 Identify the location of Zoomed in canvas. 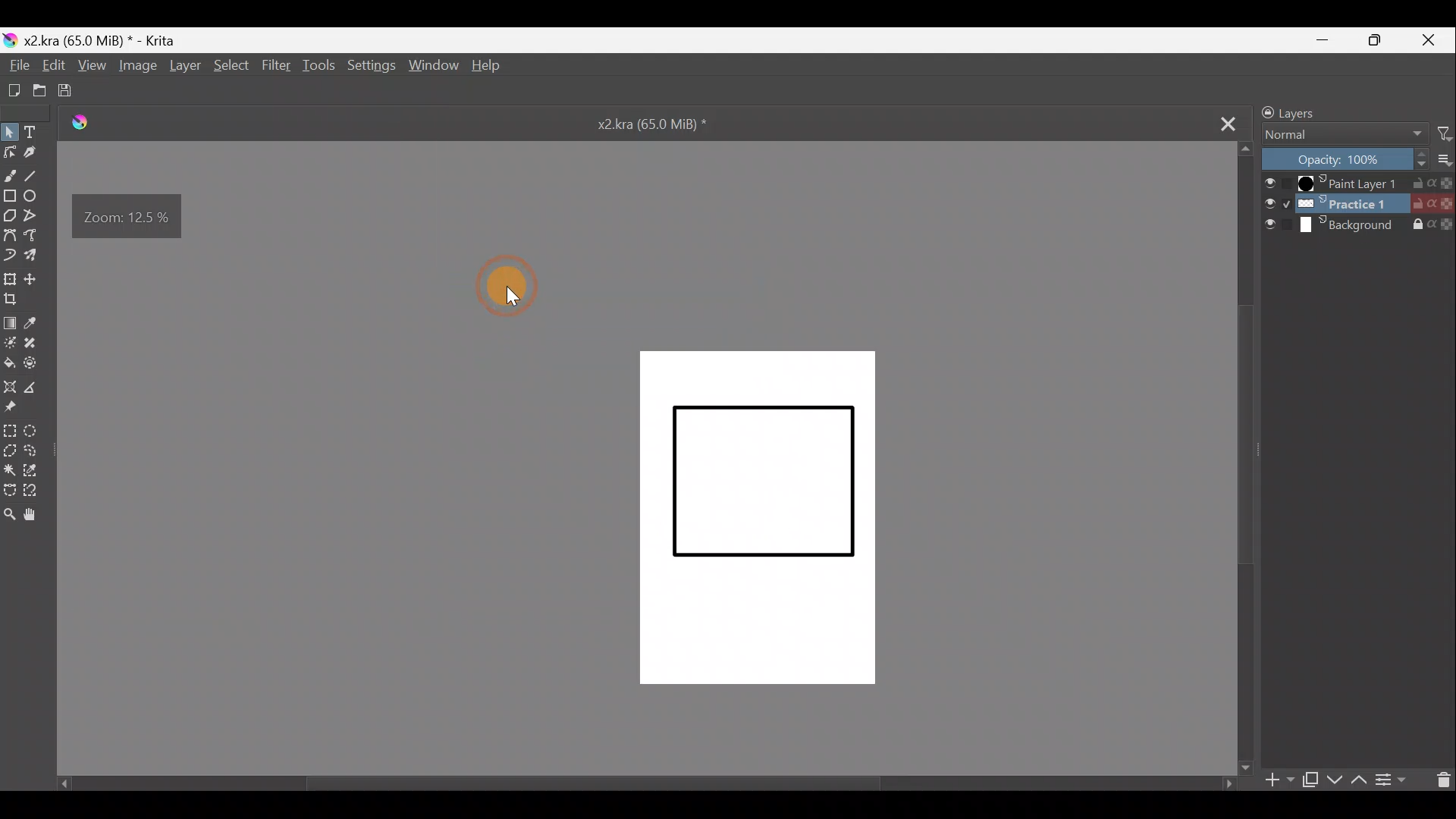
(754, 521).